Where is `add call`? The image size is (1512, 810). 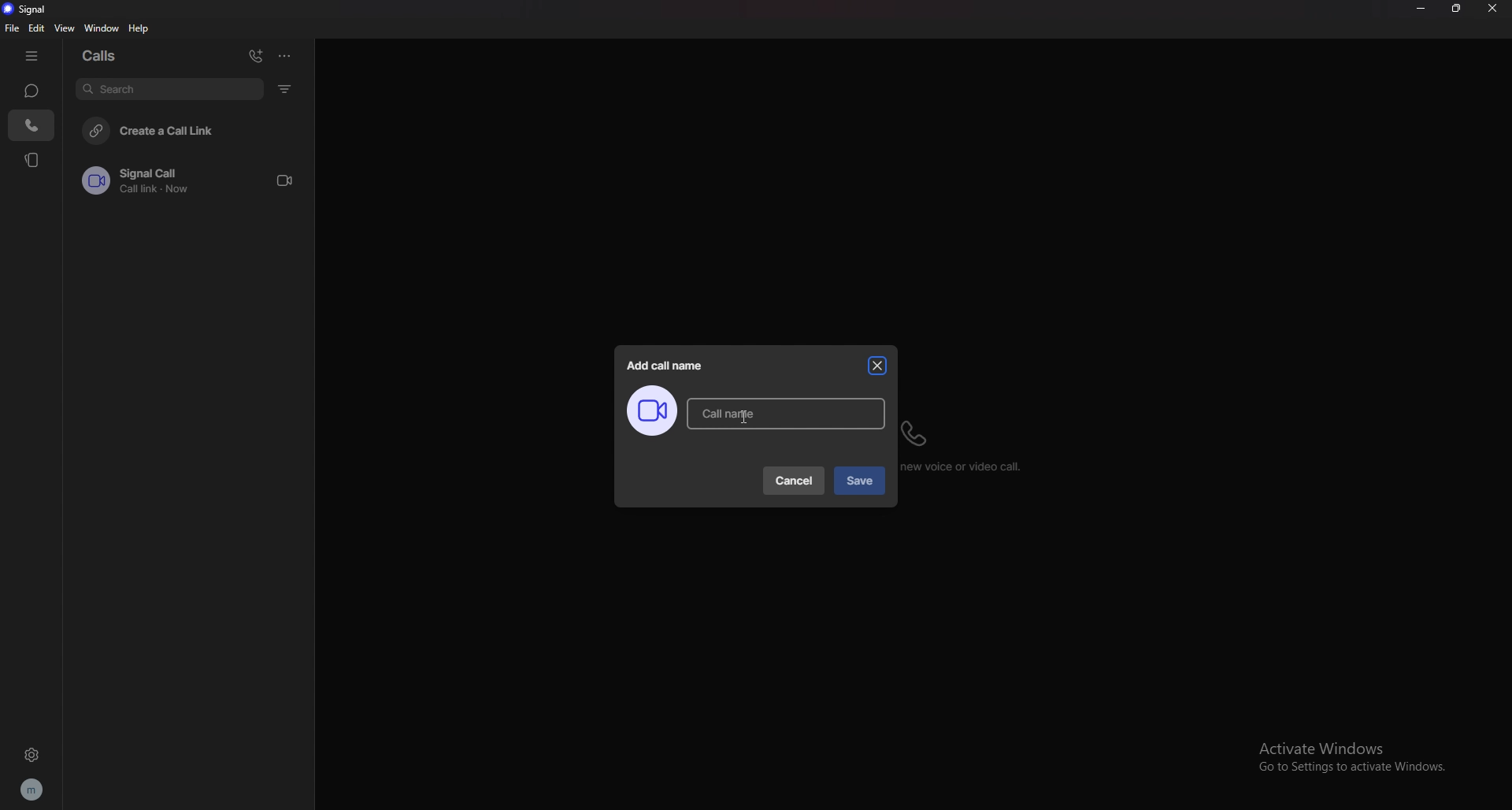
add call is located at coordinates (256, 56).